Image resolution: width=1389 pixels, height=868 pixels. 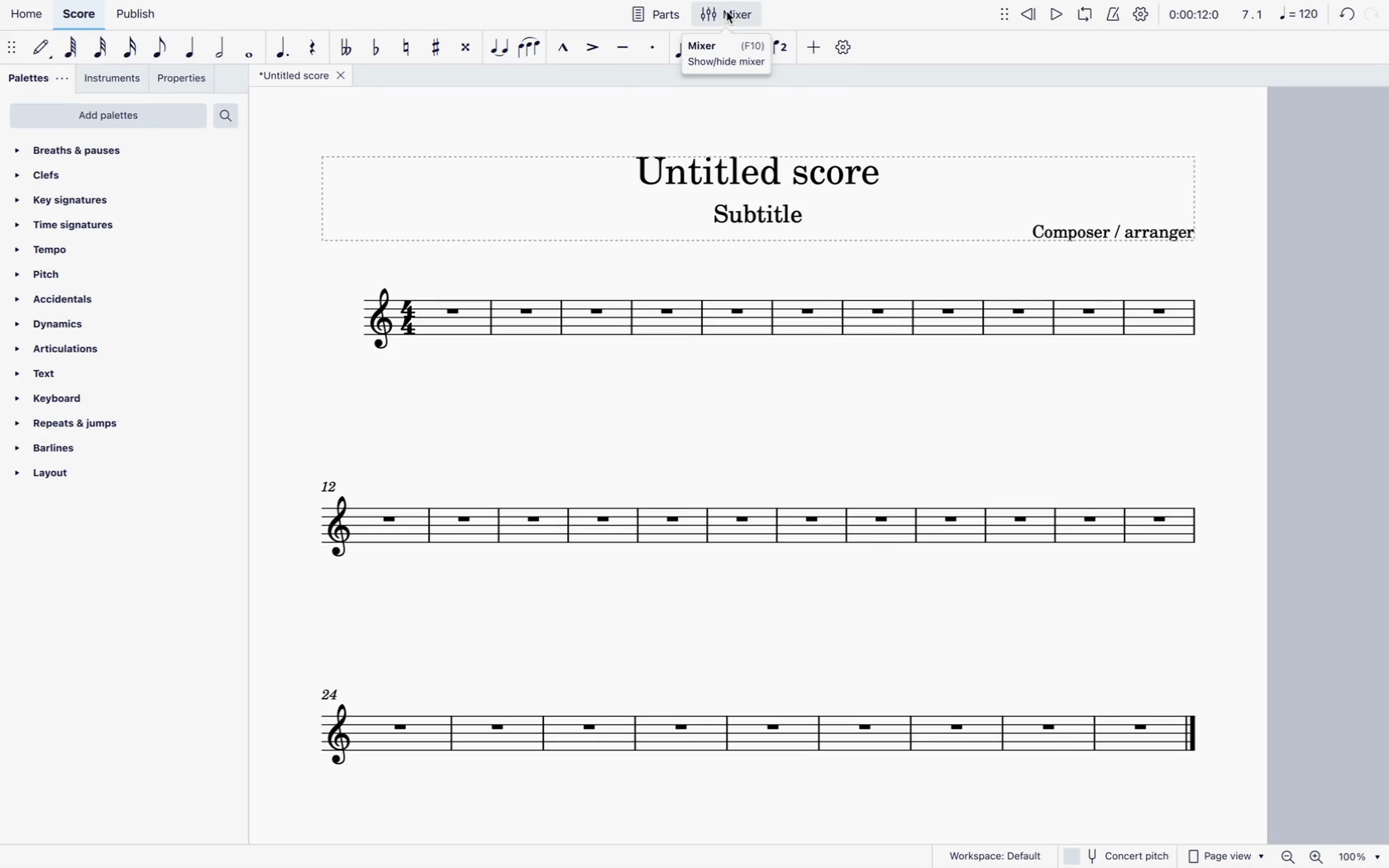 I want to click on workspace, so click(x=995, y=855).